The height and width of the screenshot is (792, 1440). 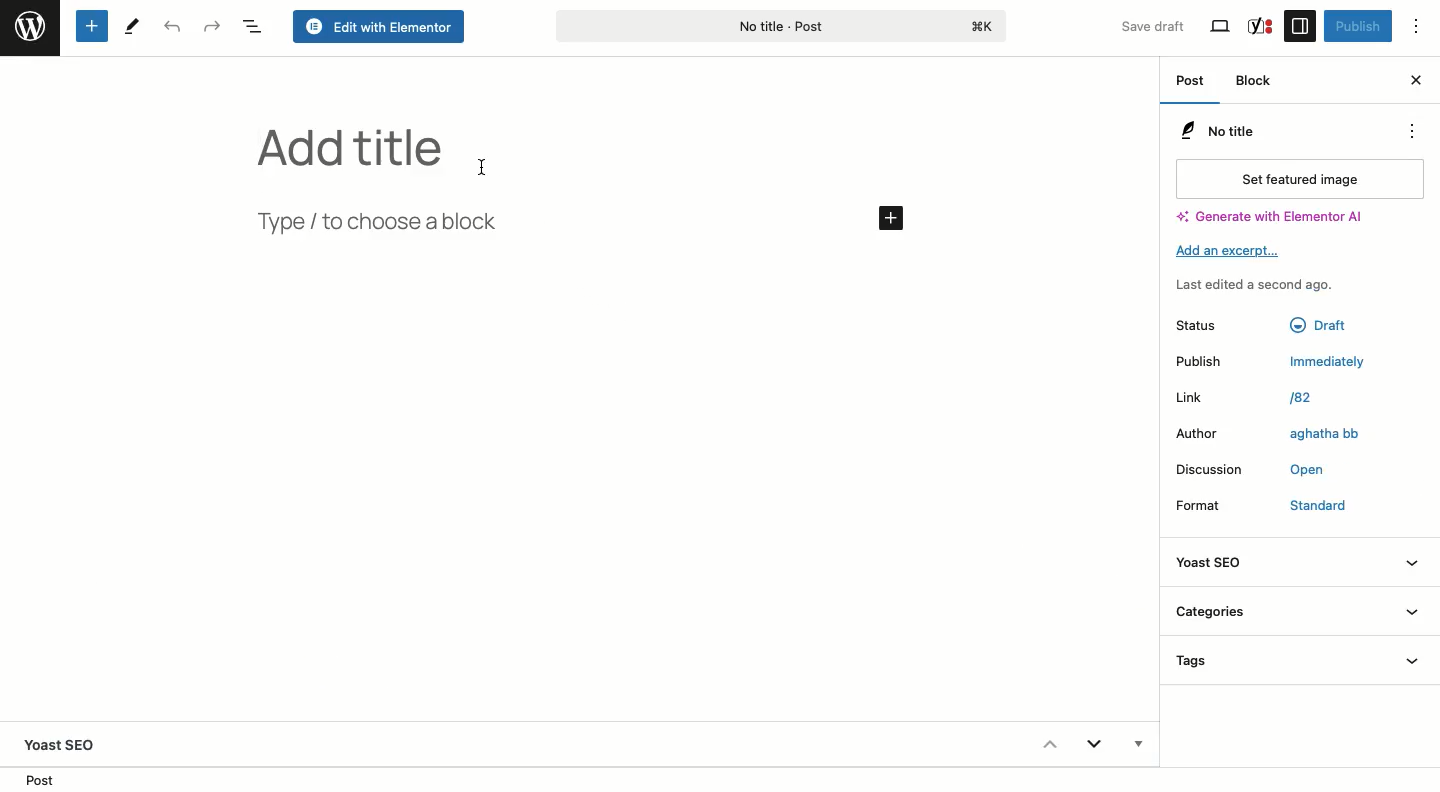 What do you see at coordinates (1314, 325) in the screenshot?
I see `Draft` at bounding box center [1314, 325].